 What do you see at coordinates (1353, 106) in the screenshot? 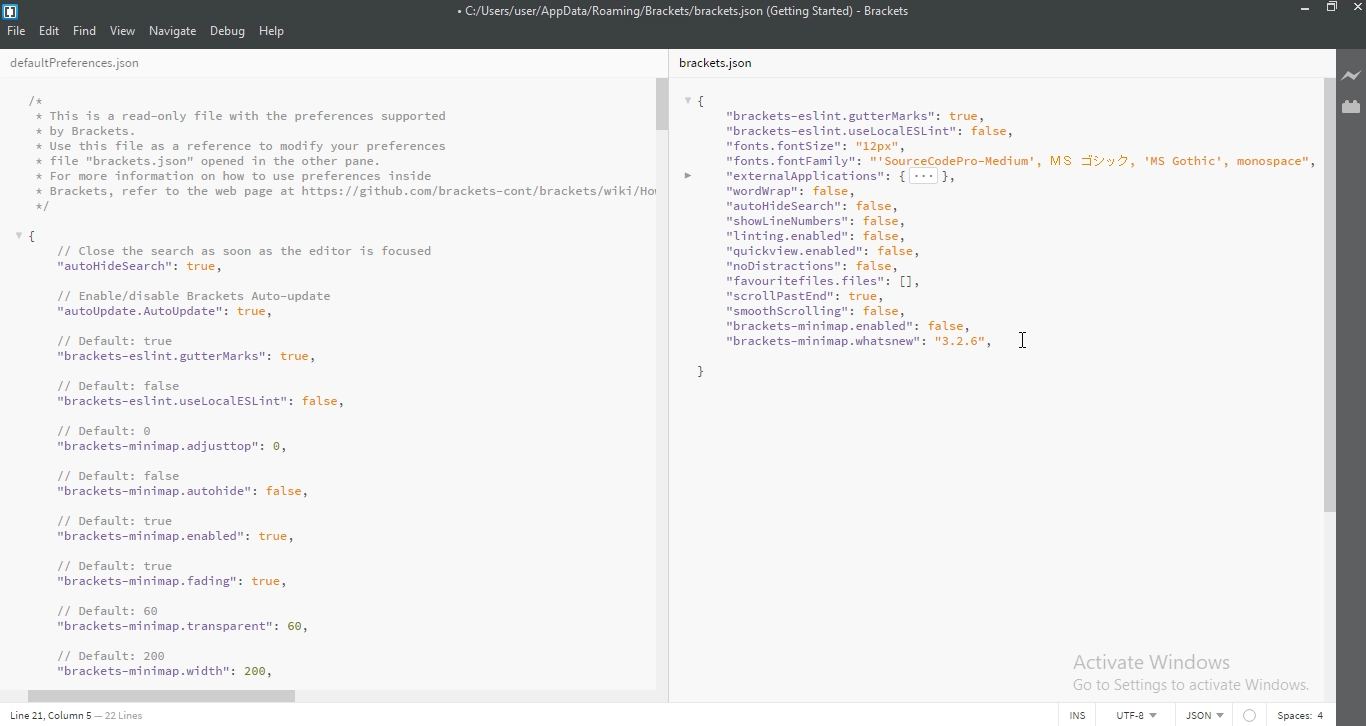
I see `Extension Manager` at bounding box center [1353, 106].